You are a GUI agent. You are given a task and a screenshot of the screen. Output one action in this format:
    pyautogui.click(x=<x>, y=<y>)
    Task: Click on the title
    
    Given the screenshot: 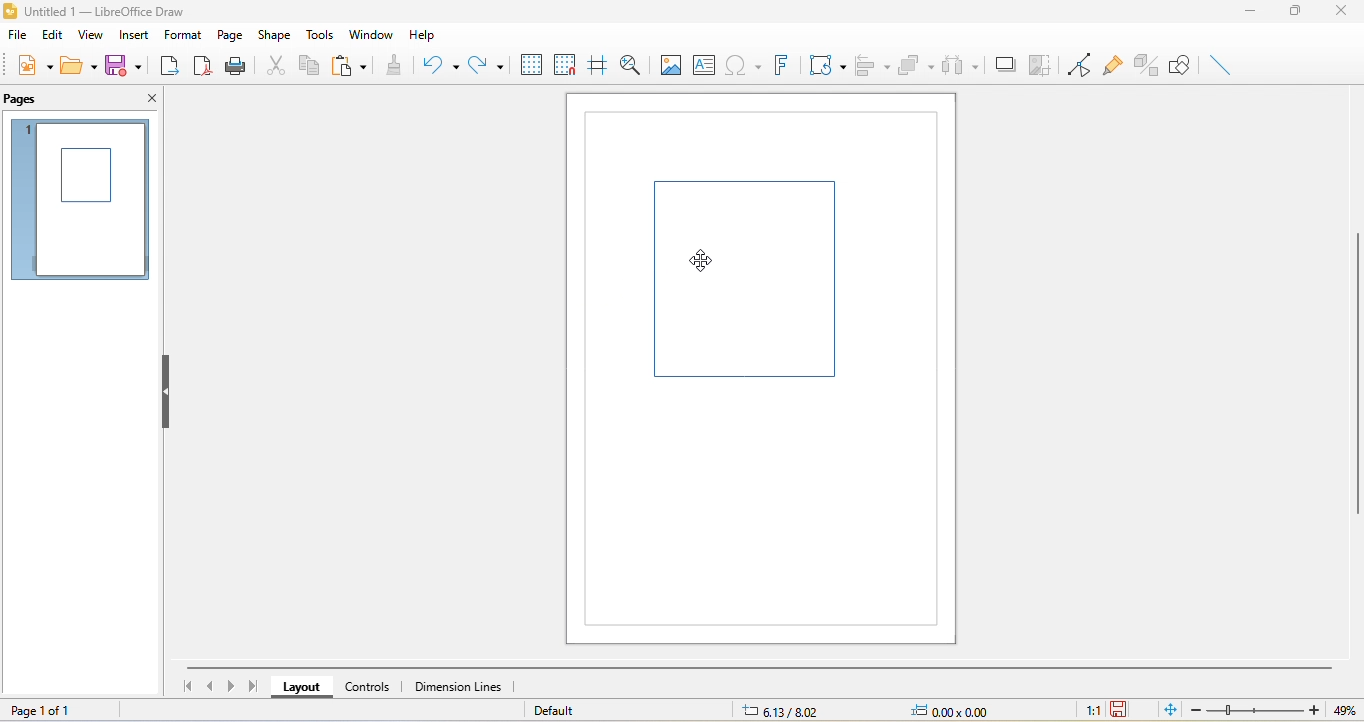 What is the action you would take?
    pyautogui.click(x=112, y=12)
    